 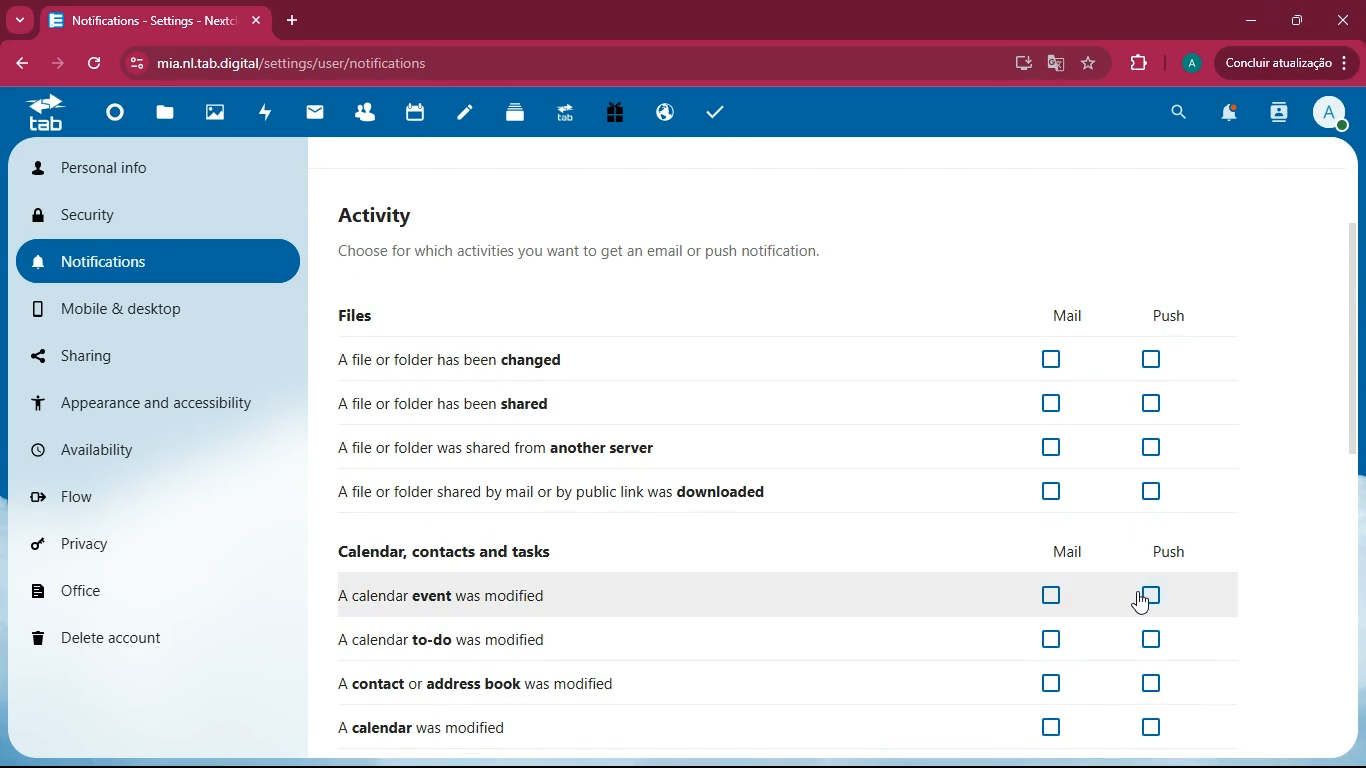 I want to click on Profile, so click(x=1192, y=61).